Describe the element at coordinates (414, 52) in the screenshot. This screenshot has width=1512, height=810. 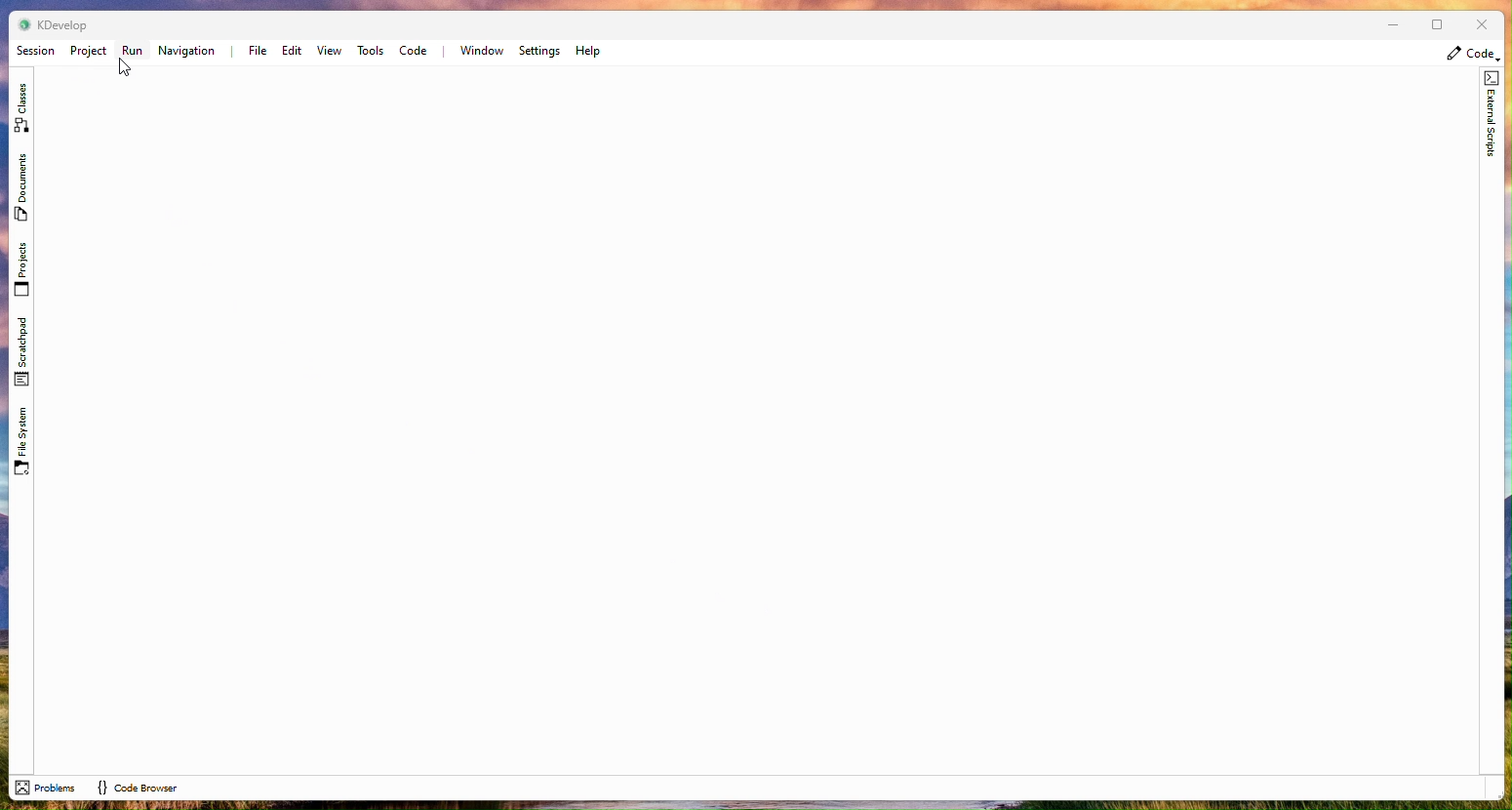
I see `Code` at that location.